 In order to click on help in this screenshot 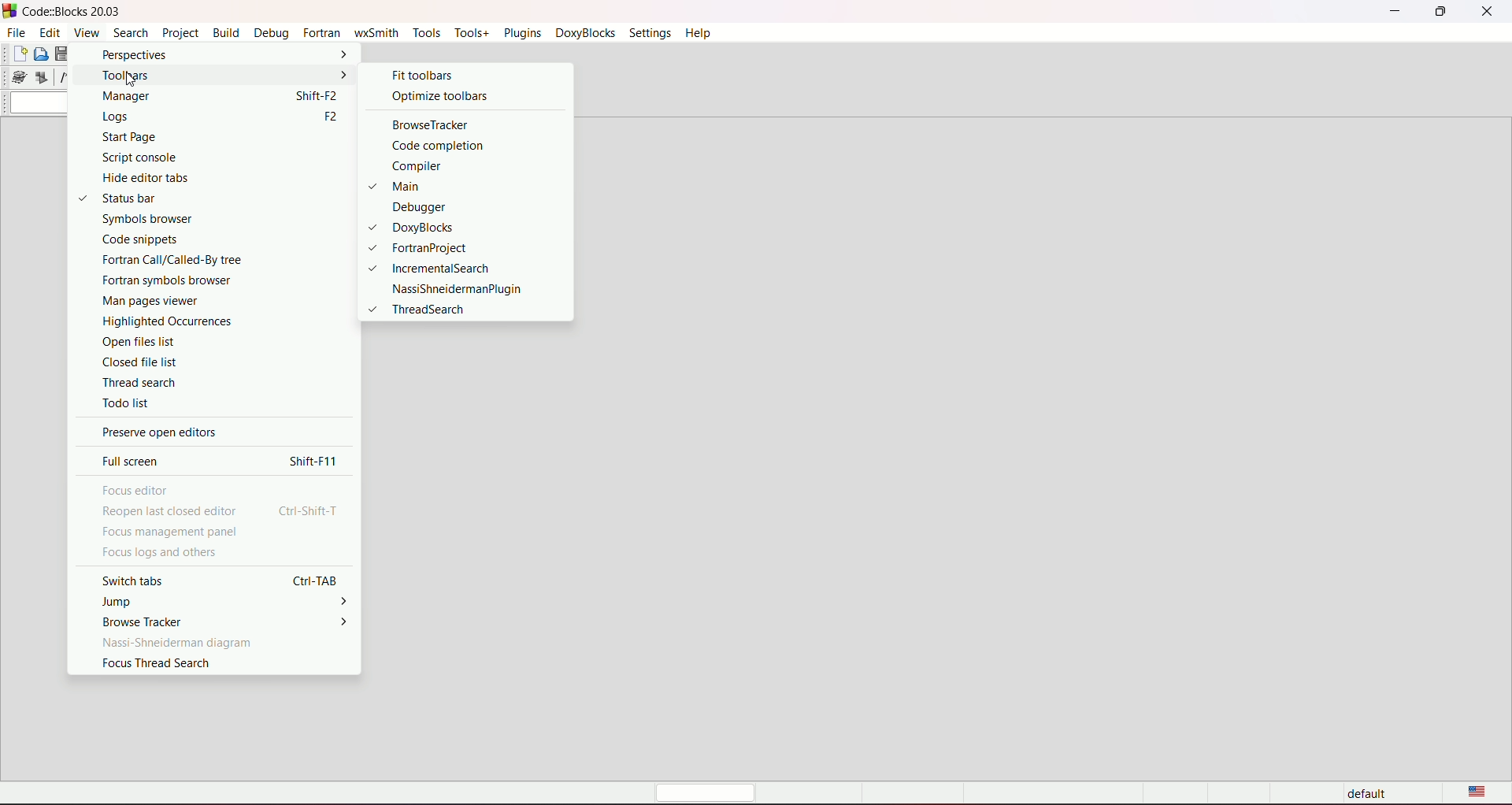, I will do `click(697, 34)`.